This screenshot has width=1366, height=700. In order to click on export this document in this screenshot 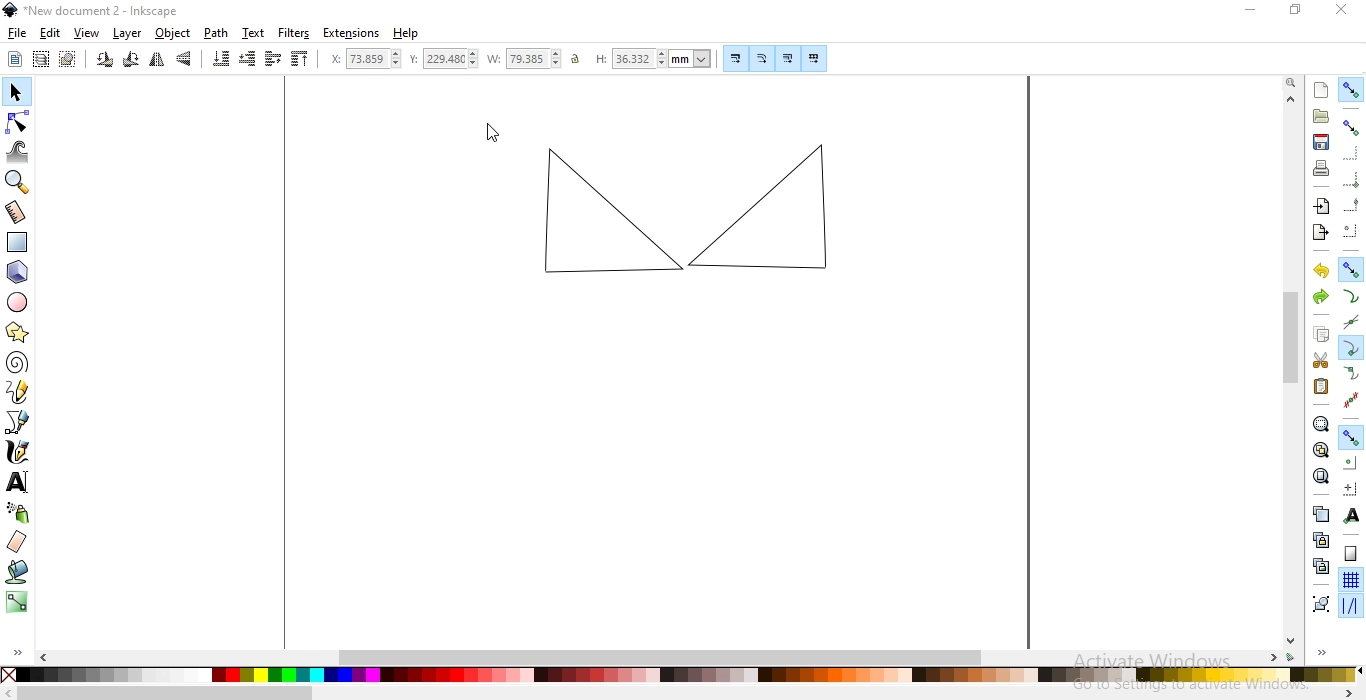, I will do `click(1320, 231)`.